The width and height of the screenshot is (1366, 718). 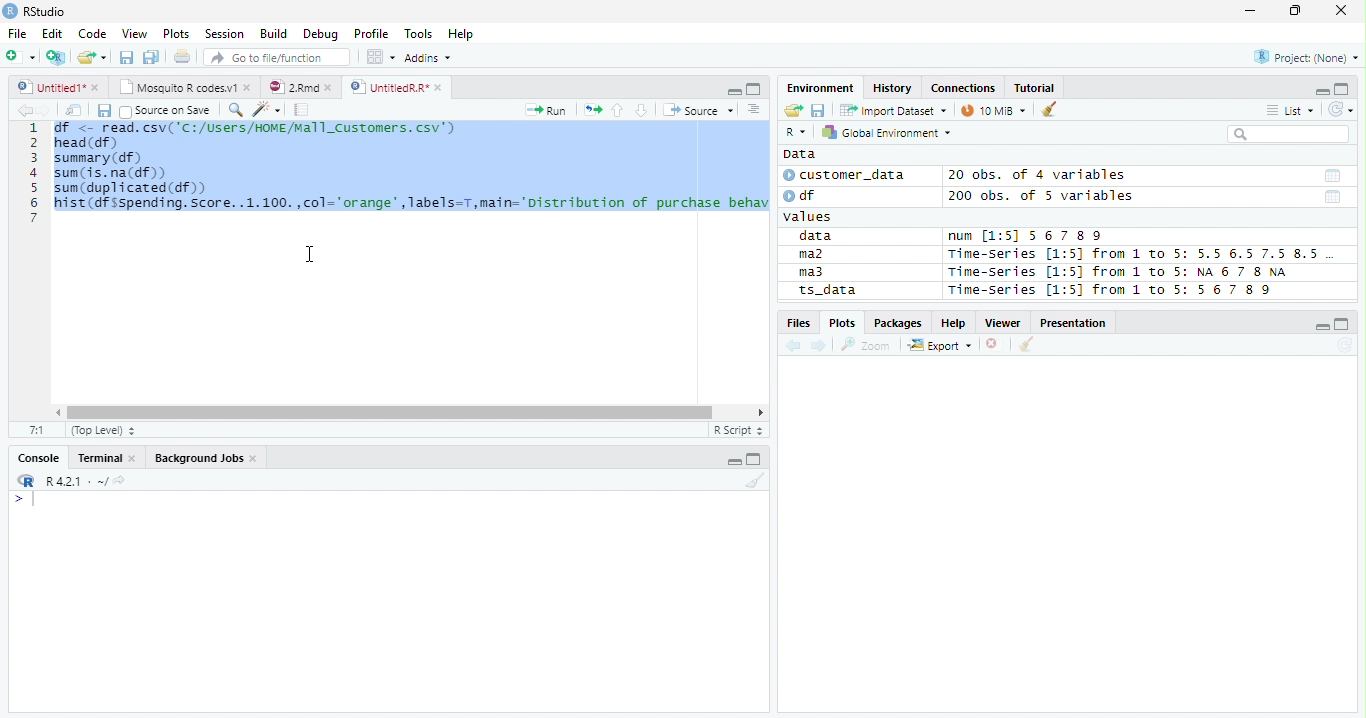 What do you see at coordinates (1331, 176) in the screenshot?
I see `Date` at bounding box center [1331, 176].